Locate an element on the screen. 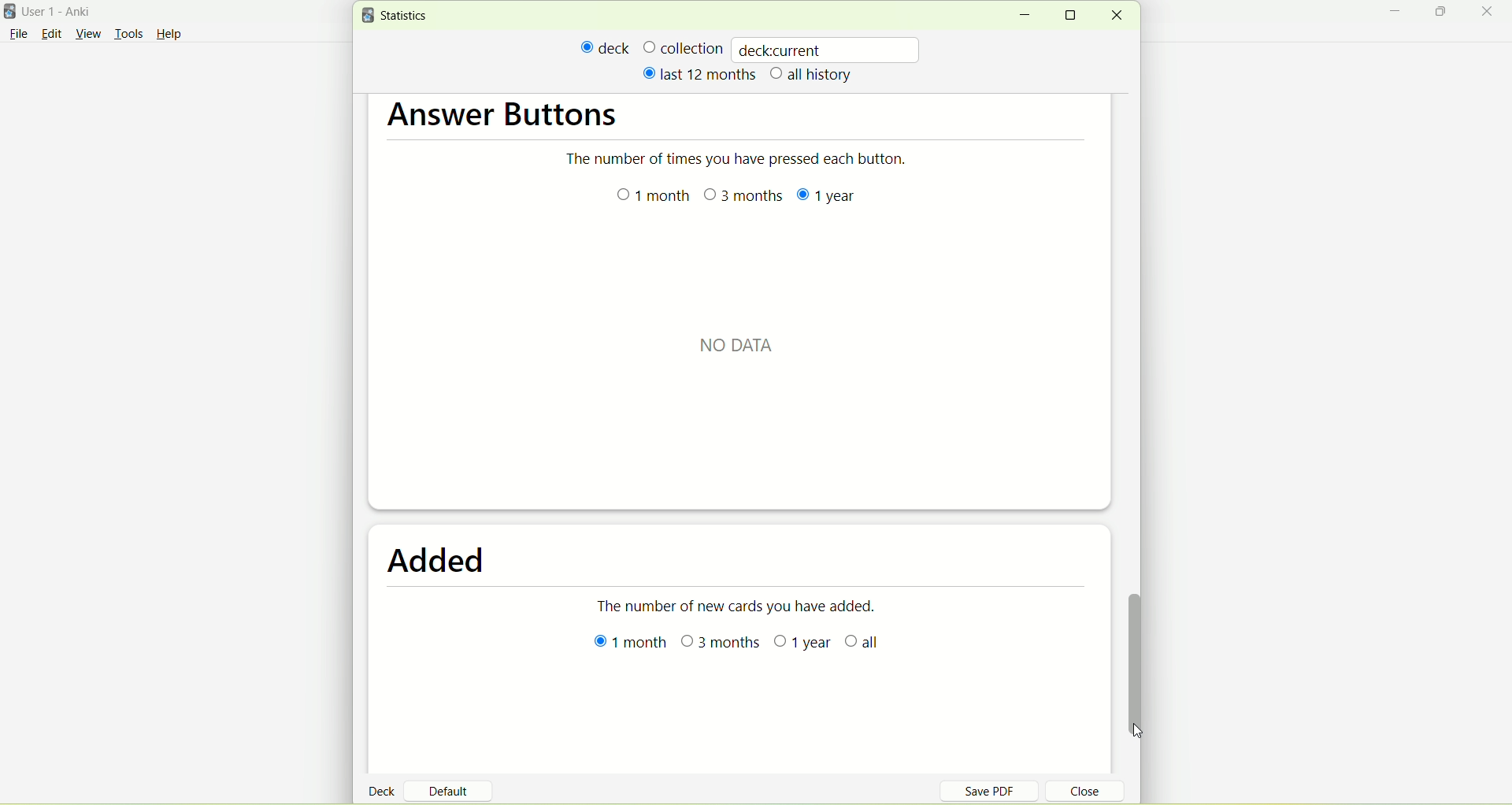 The width and height of the screenshot is (1512, 805). vertical scroll bar is located at coordinates (1140, 656).